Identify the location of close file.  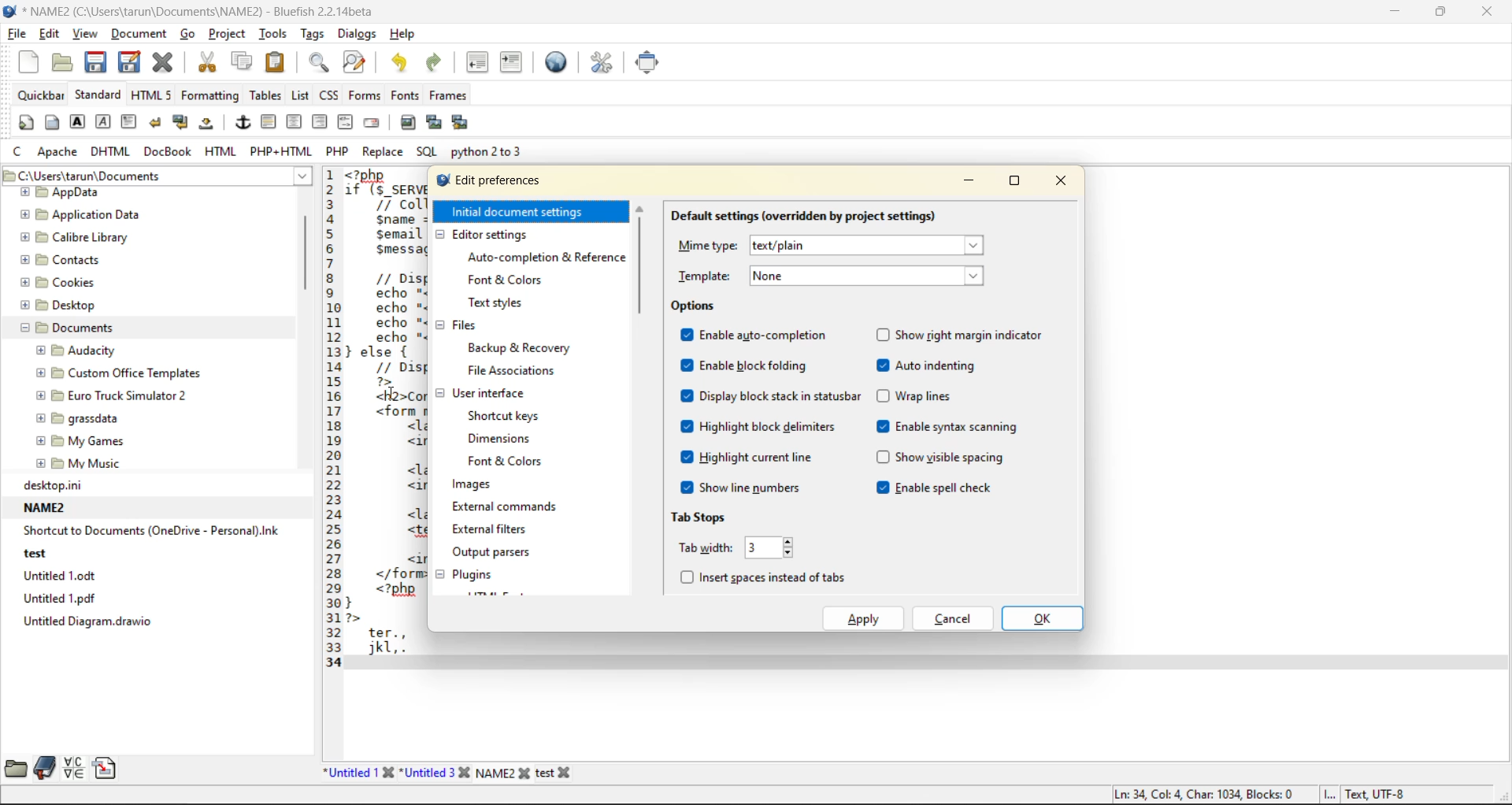
(164, 63).